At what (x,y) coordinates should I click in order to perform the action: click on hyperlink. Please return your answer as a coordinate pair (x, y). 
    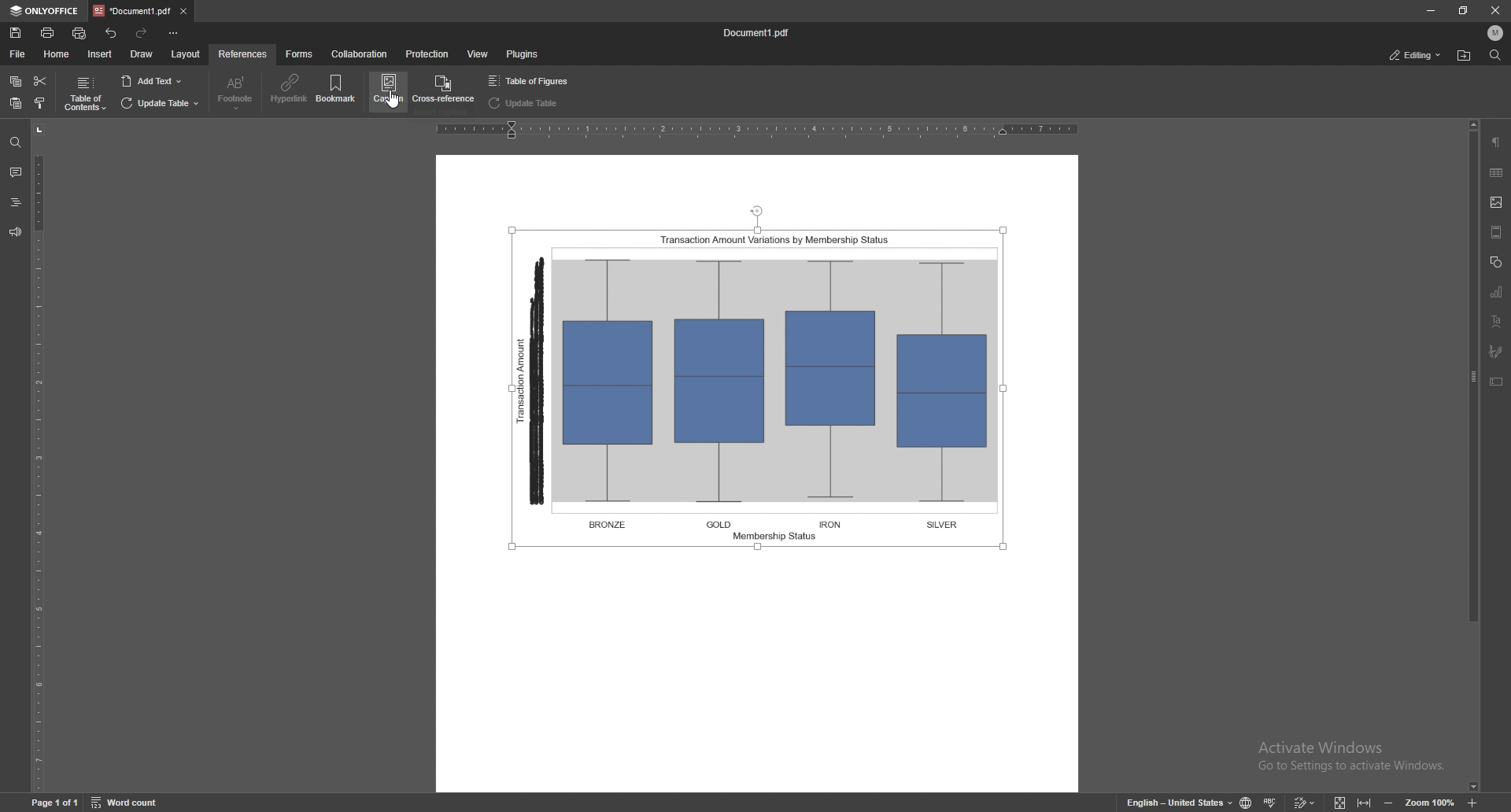
    Looking at the image, I should click on (290, 89).